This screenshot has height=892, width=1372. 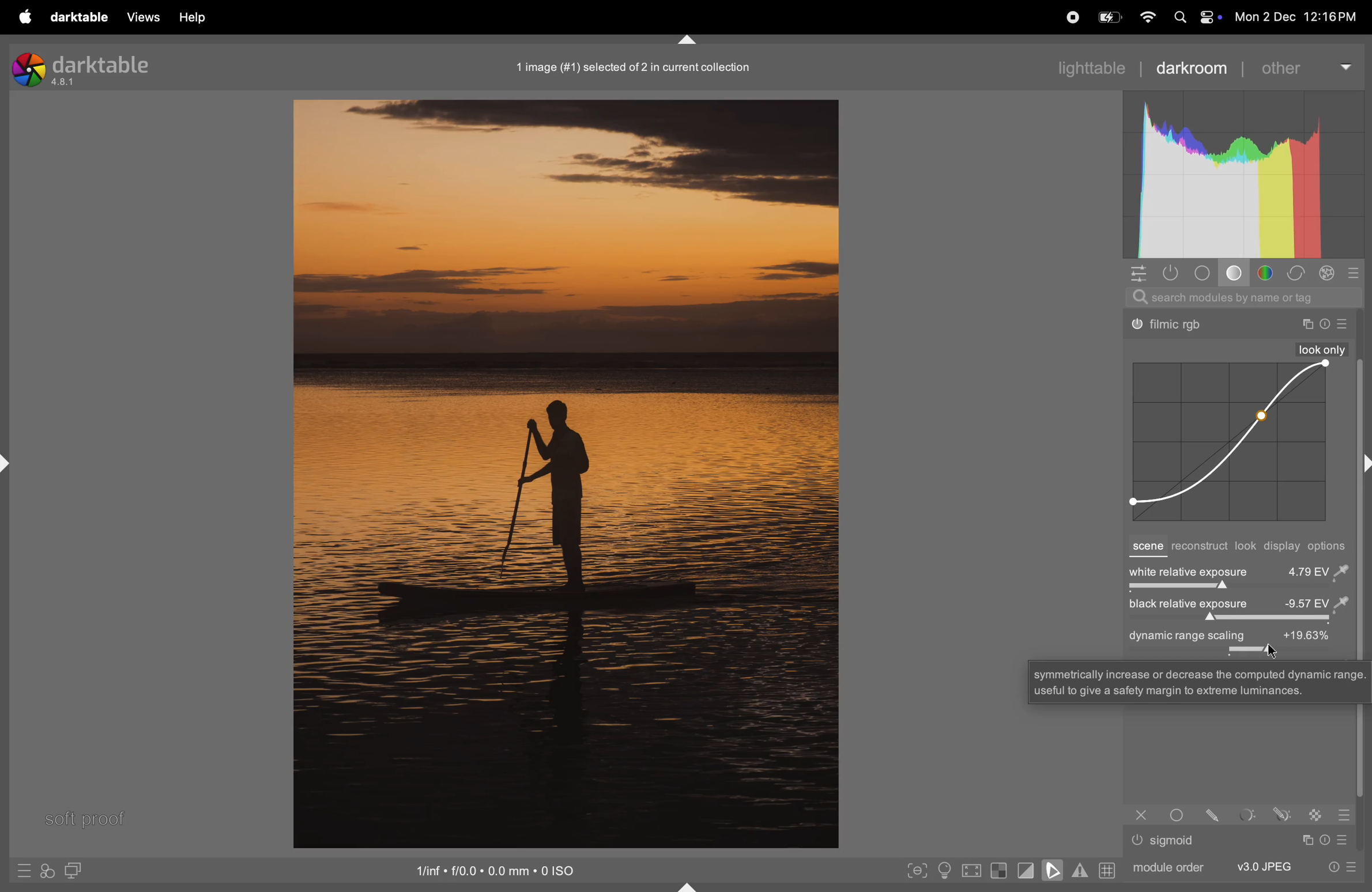 I want to click on base, so click(x=1237, y=275).